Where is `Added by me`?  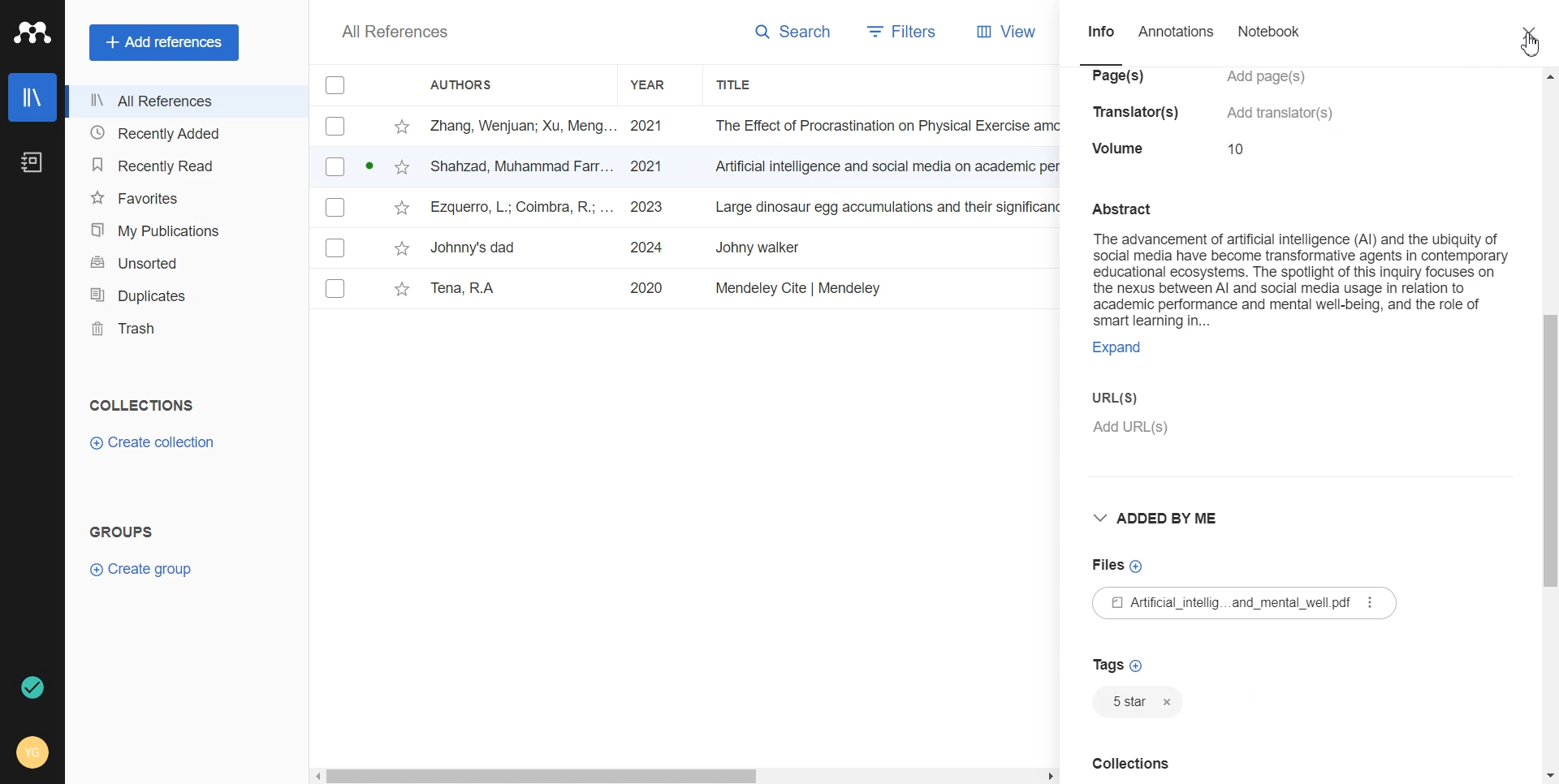
Added by me is located at coordinates (1165, 518).